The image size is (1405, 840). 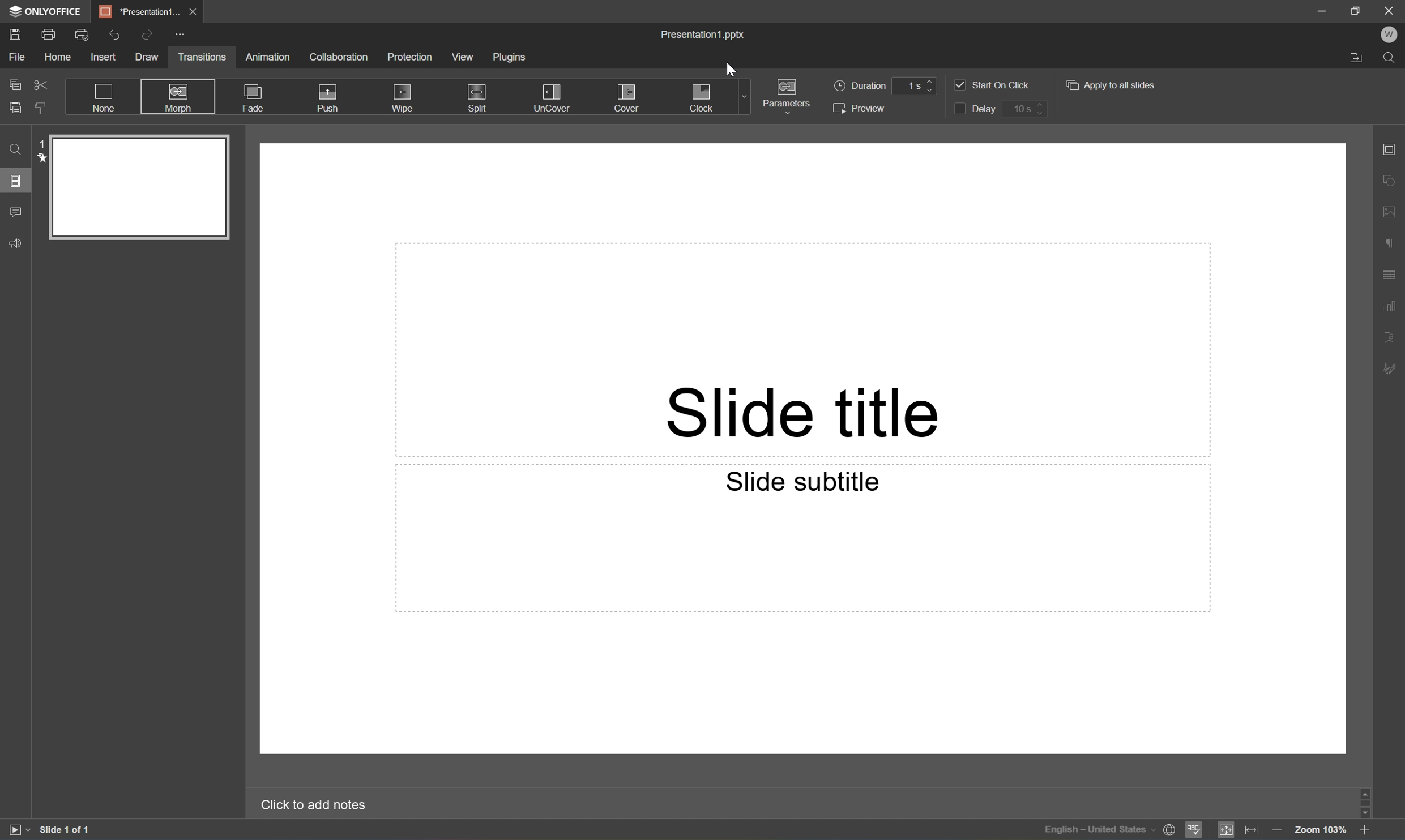 What do you see at coordinates (17, 245) in the screenshot?
I see `Feedback & Support` at bounding box center [17, 245].